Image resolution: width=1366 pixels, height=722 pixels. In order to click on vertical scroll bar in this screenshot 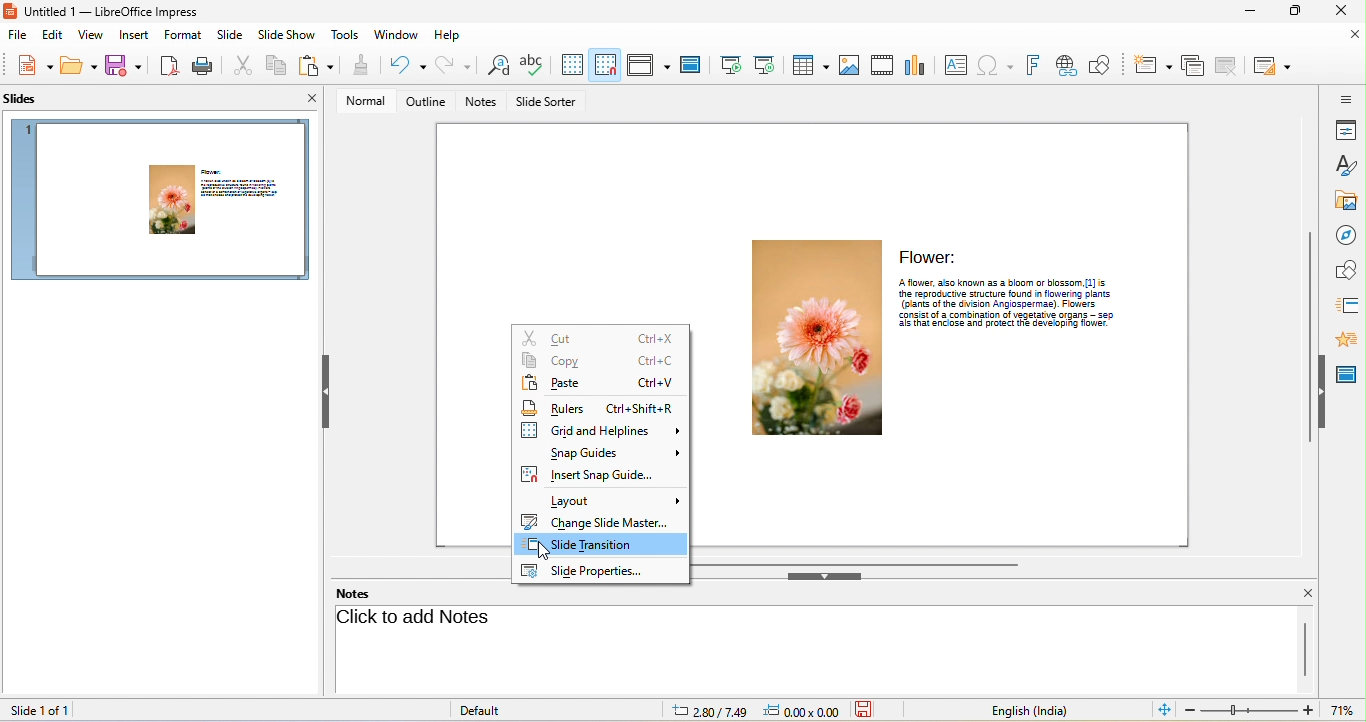, I will do `click(1306, 650)`.